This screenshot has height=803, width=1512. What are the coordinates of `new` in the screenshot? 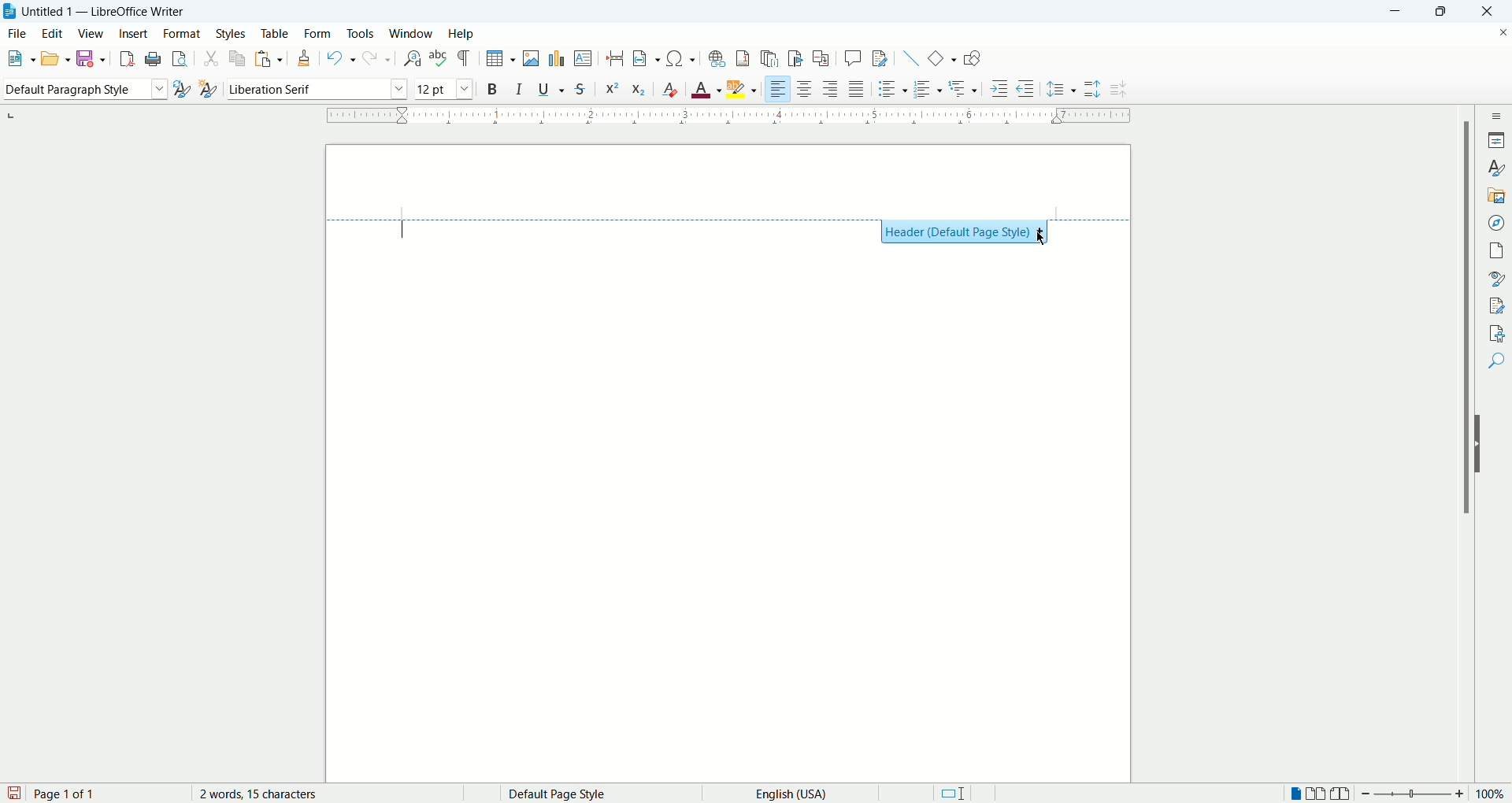 It's located at (16, 57).